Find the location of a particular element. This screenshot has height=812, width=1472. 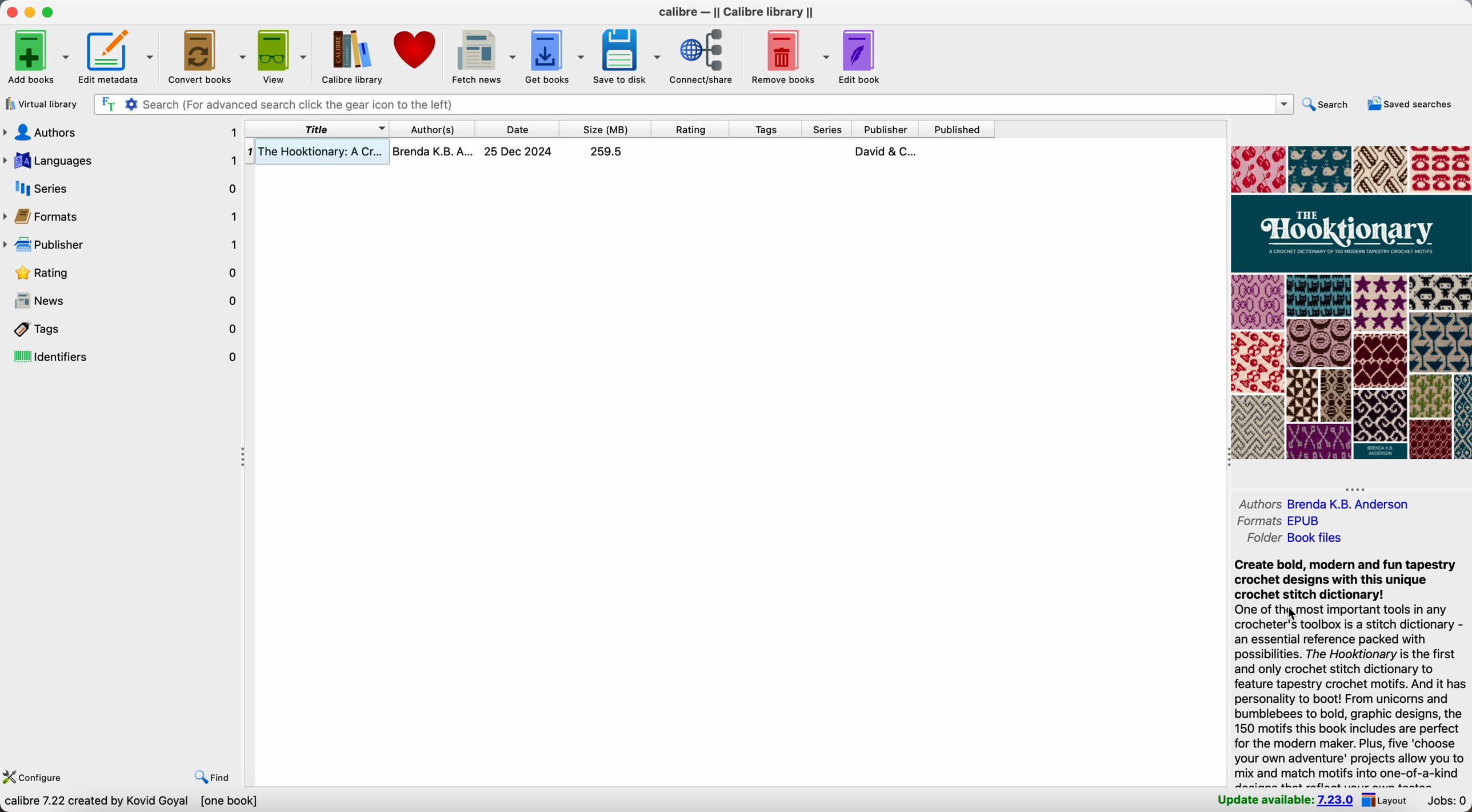

rating is located at coordinates (690, 128).